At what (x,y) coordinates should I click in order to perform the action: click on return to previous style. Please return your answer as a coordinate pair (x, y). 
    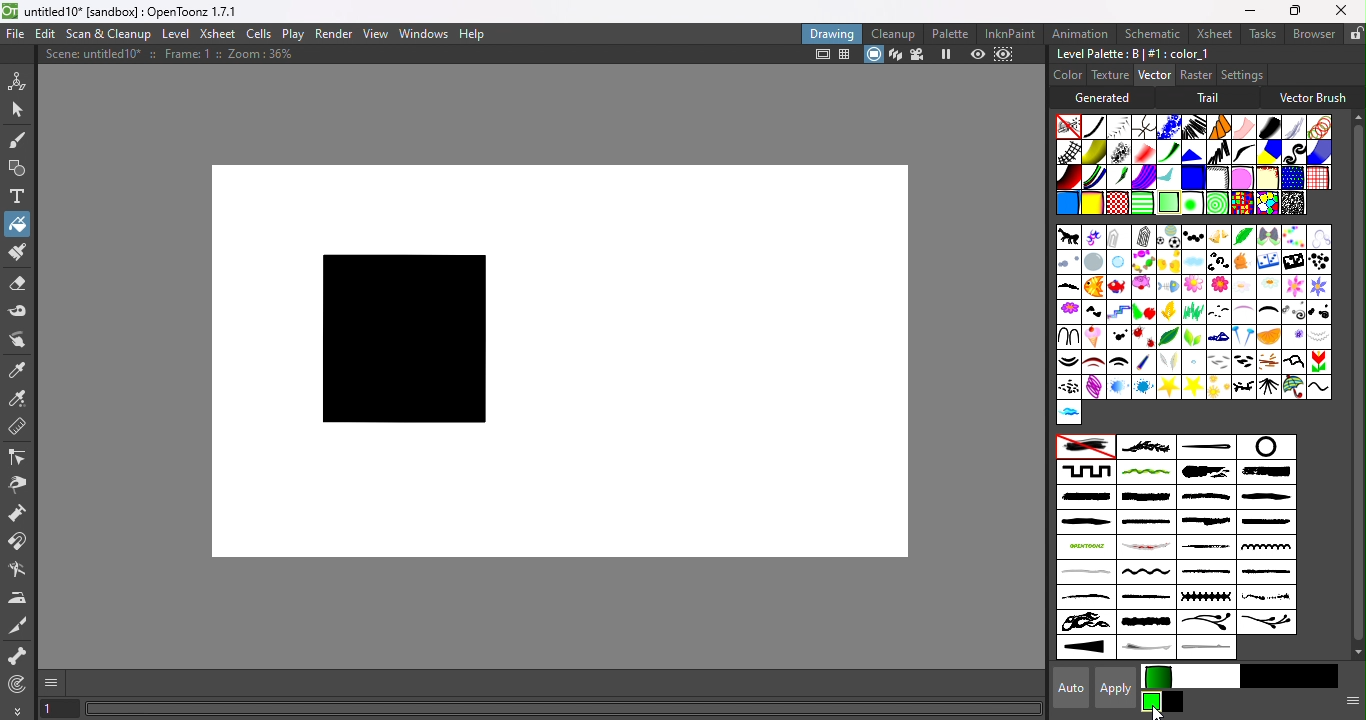
    Looking at the image, I should click on (1174, 703).